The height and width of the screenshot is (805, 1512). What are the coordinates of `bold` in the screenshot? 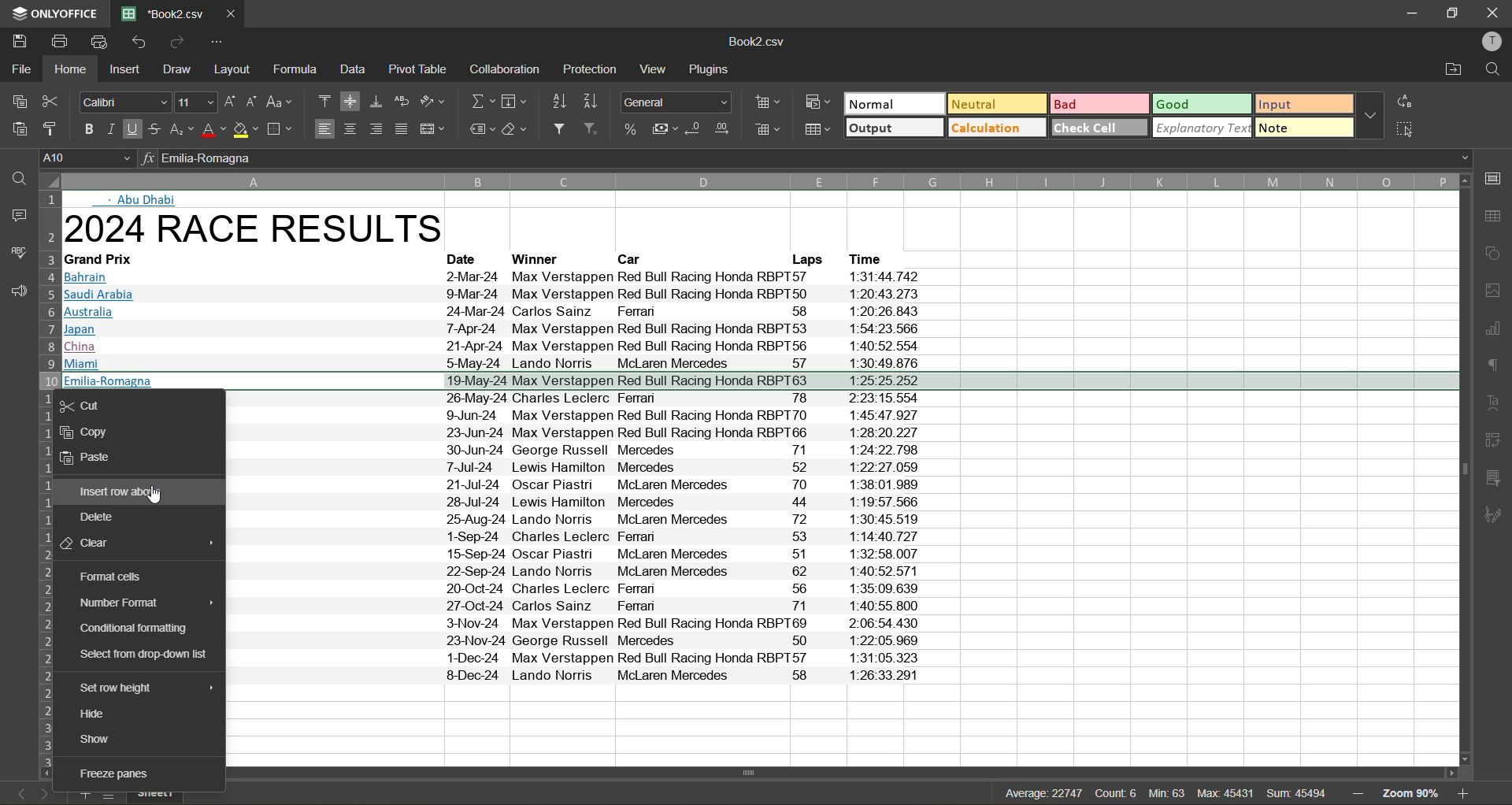 It's located at (88, 129).